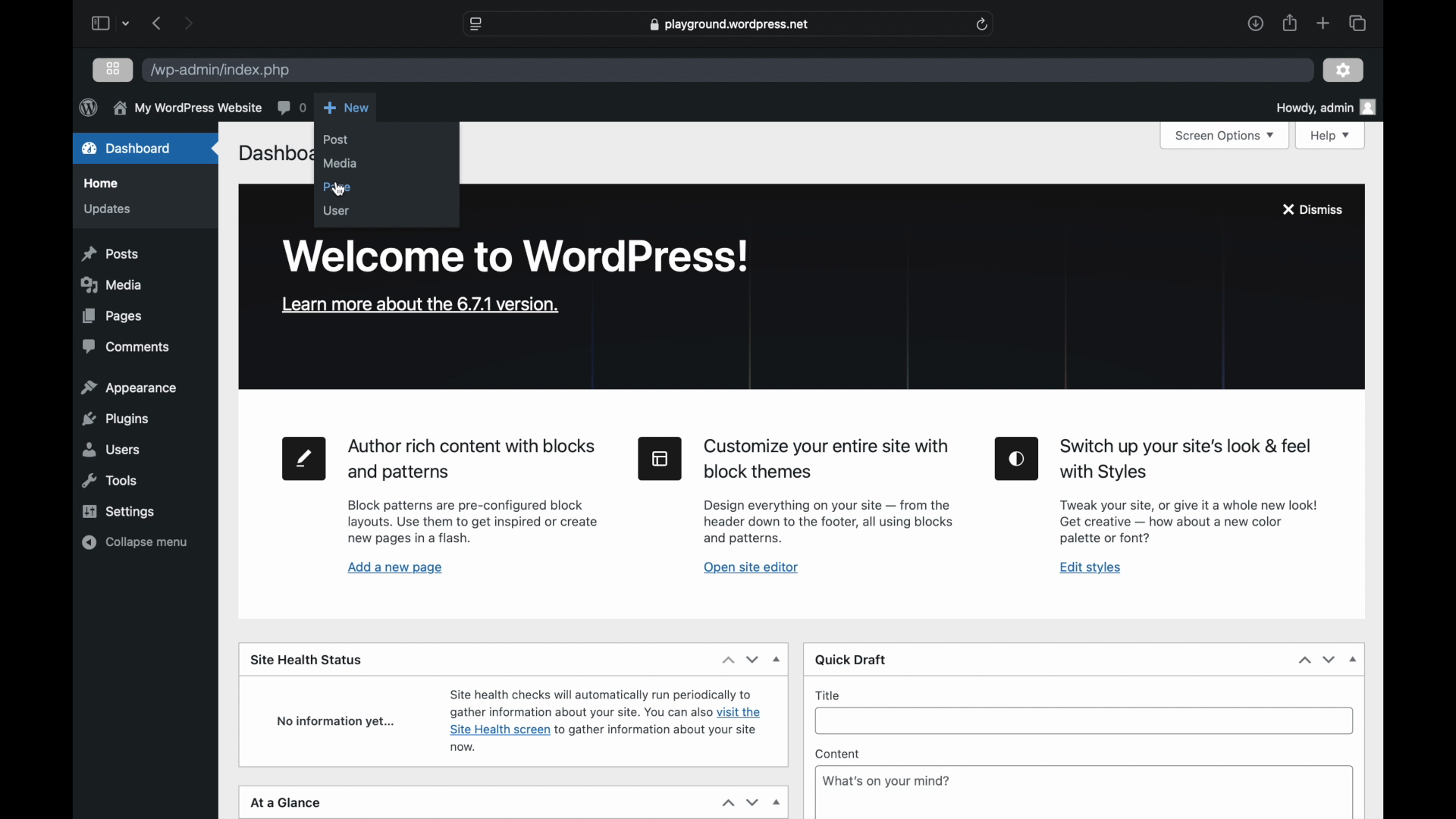  Describe the element at coordinates (836, 491) in the screenshot. I see `Customize your entire site with
block themes

Design everything on your site — from the
header down to the footer, all using blocks
and patterns.` at that location.